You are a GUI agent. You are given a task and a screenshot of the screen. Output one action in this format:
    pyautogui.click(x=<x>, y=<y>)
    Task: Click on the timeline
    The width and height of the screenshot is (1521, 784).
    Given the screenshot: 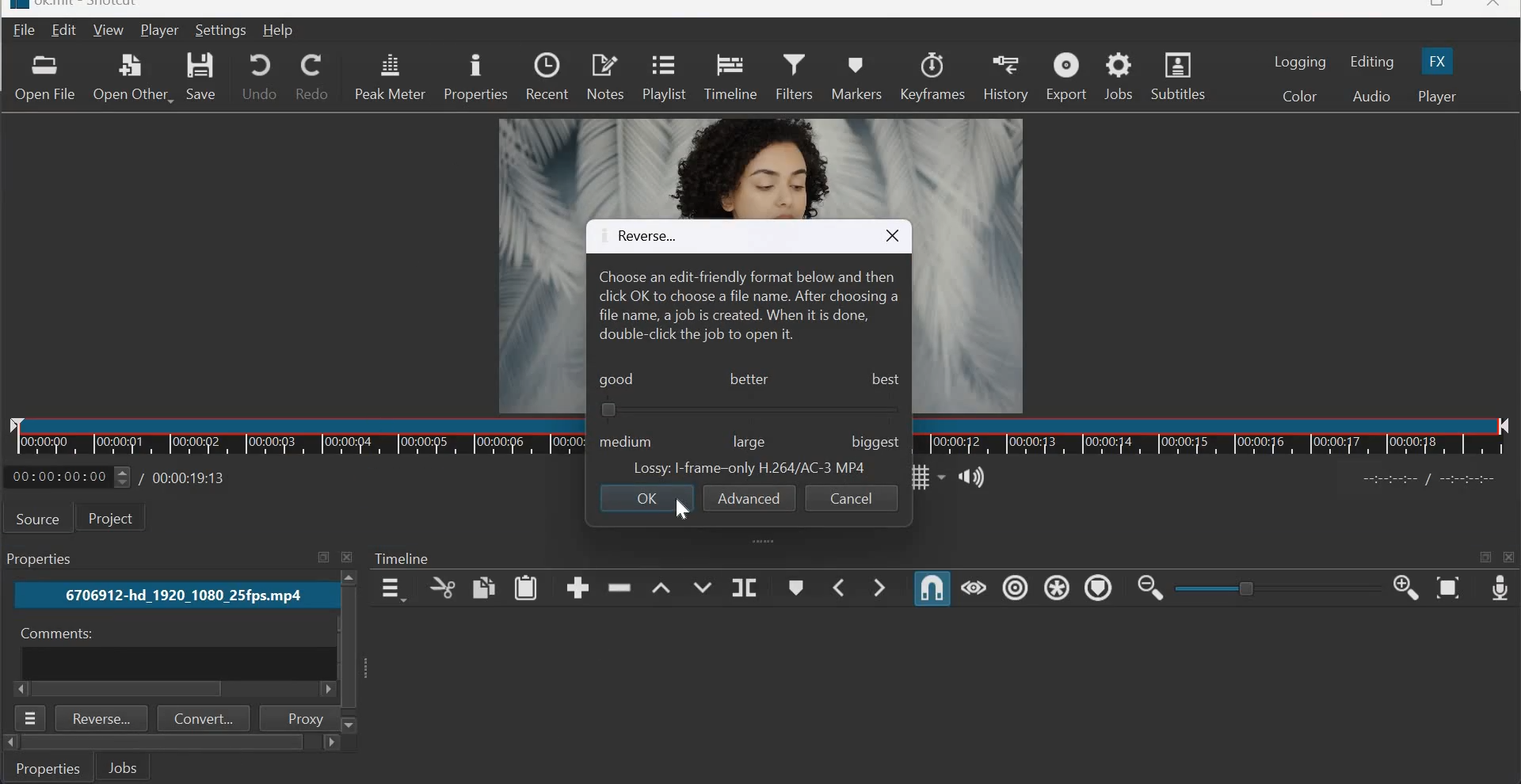 What is the action you would take?
    pyautogui.click(x=1214, y=436)
    